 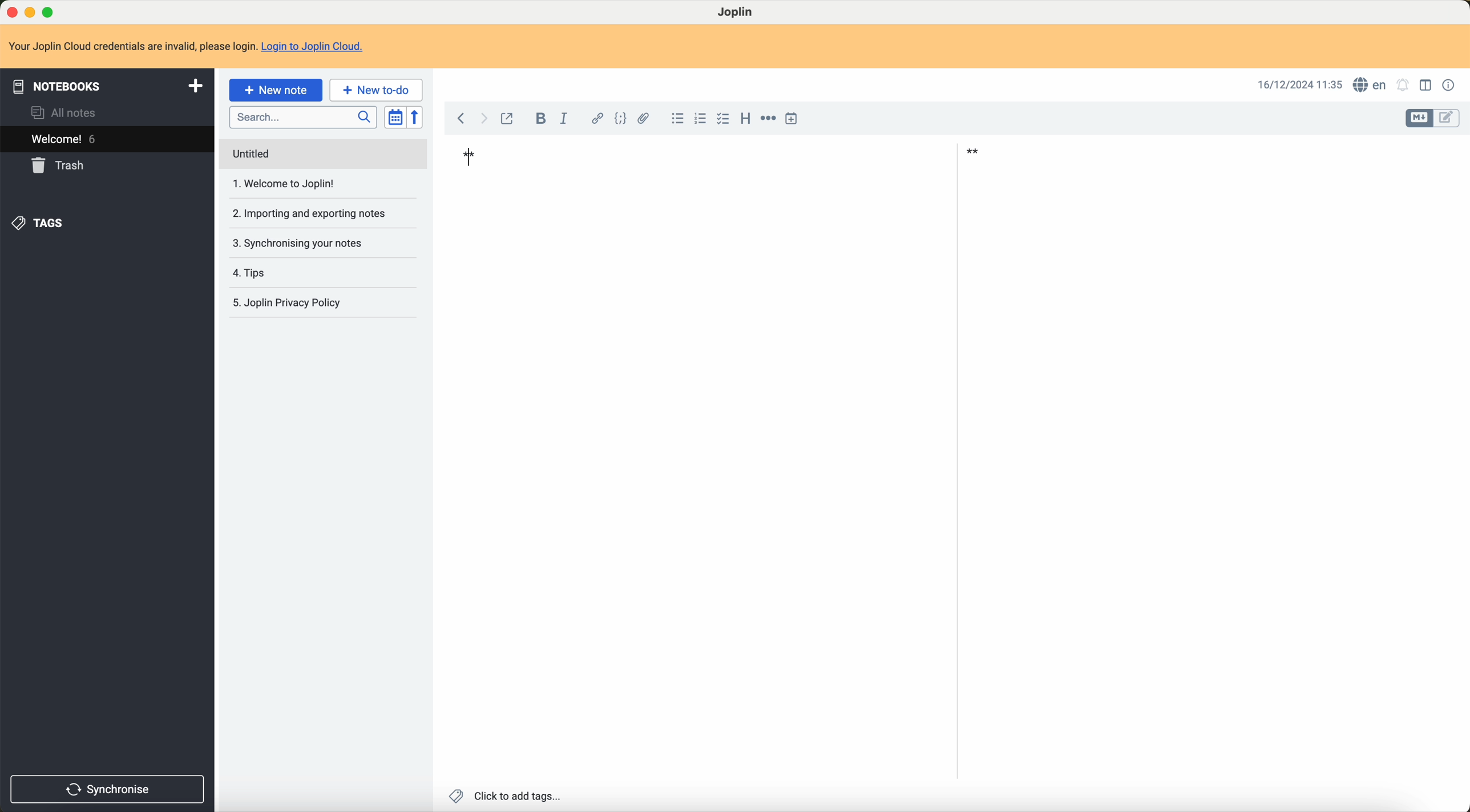 I want to click on maximize, so click(x=50, y=10).